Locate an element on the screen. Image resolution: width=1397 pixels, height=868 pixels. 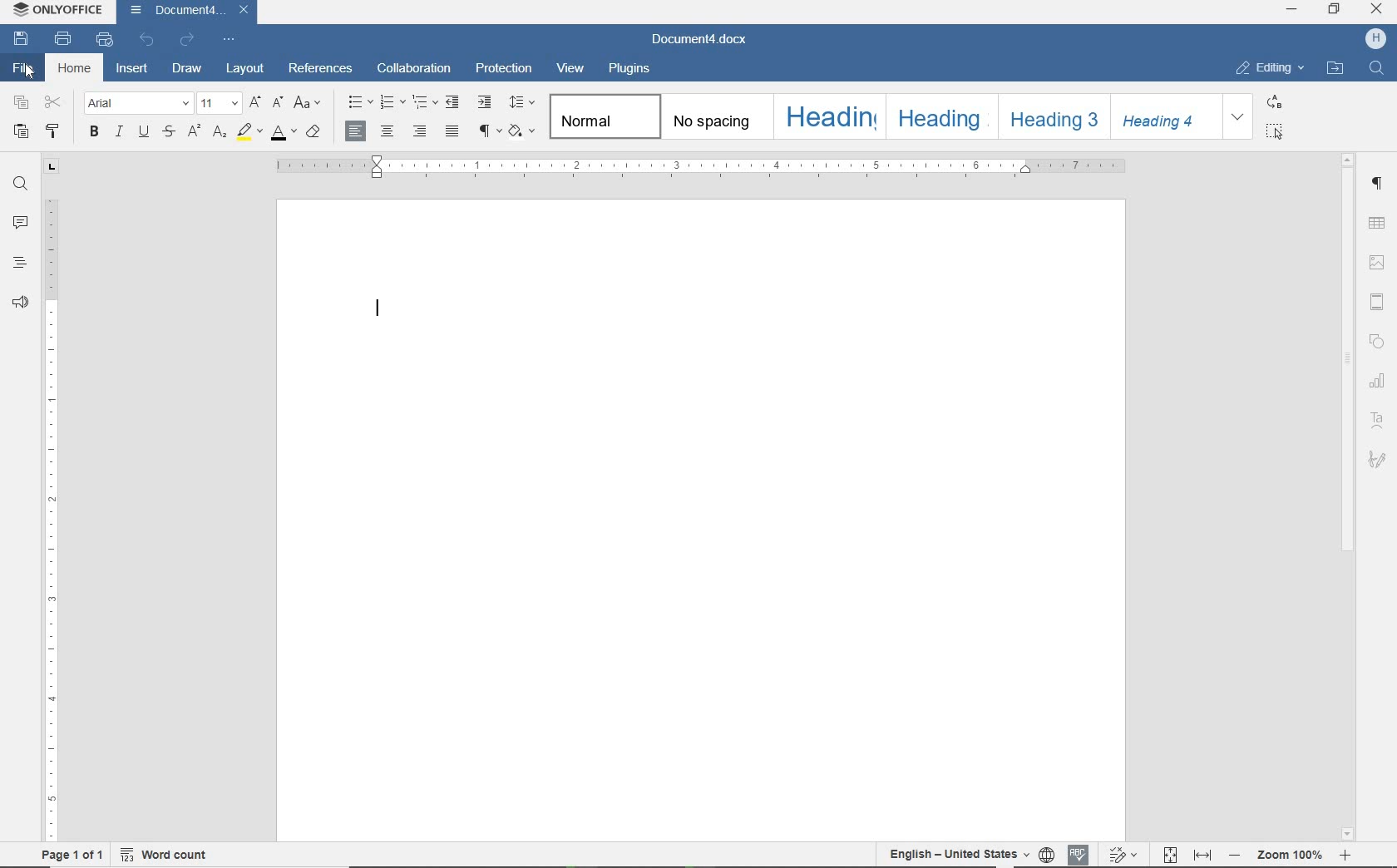
layout is located at coordinates (244, 69).